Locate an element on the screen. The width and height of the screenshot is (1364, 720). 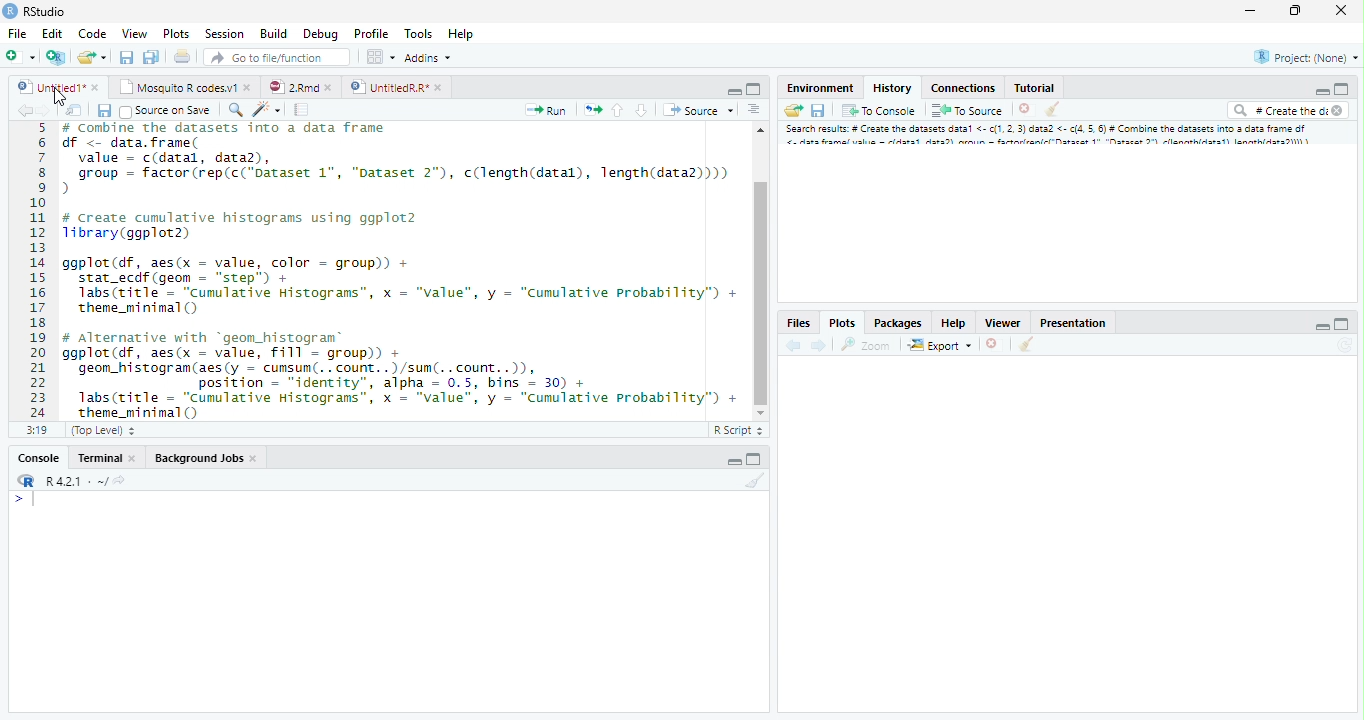
Top level is located at coordinates (105, 428).